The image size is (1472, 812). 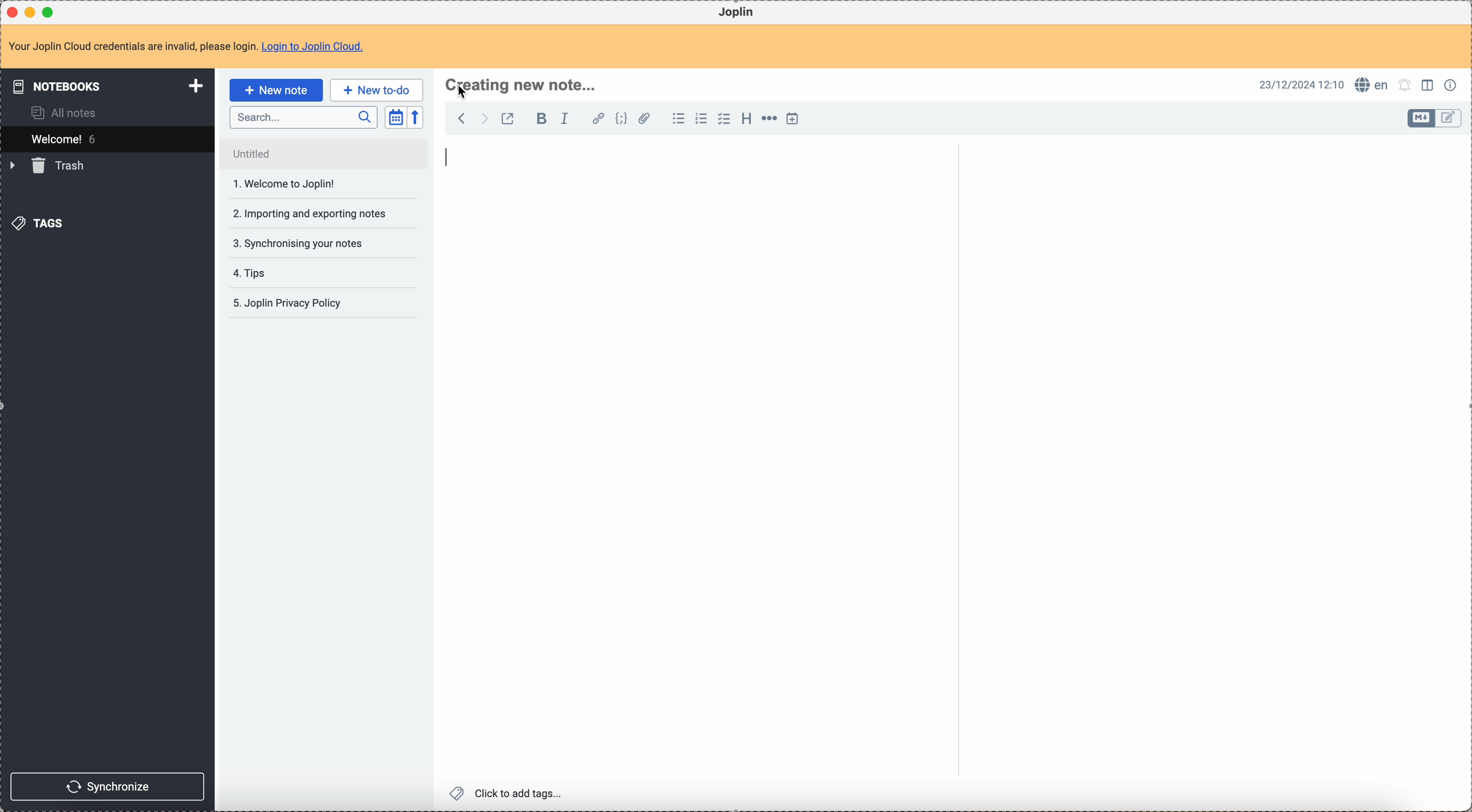 I want to click on bold, so click(x=538, y=119).